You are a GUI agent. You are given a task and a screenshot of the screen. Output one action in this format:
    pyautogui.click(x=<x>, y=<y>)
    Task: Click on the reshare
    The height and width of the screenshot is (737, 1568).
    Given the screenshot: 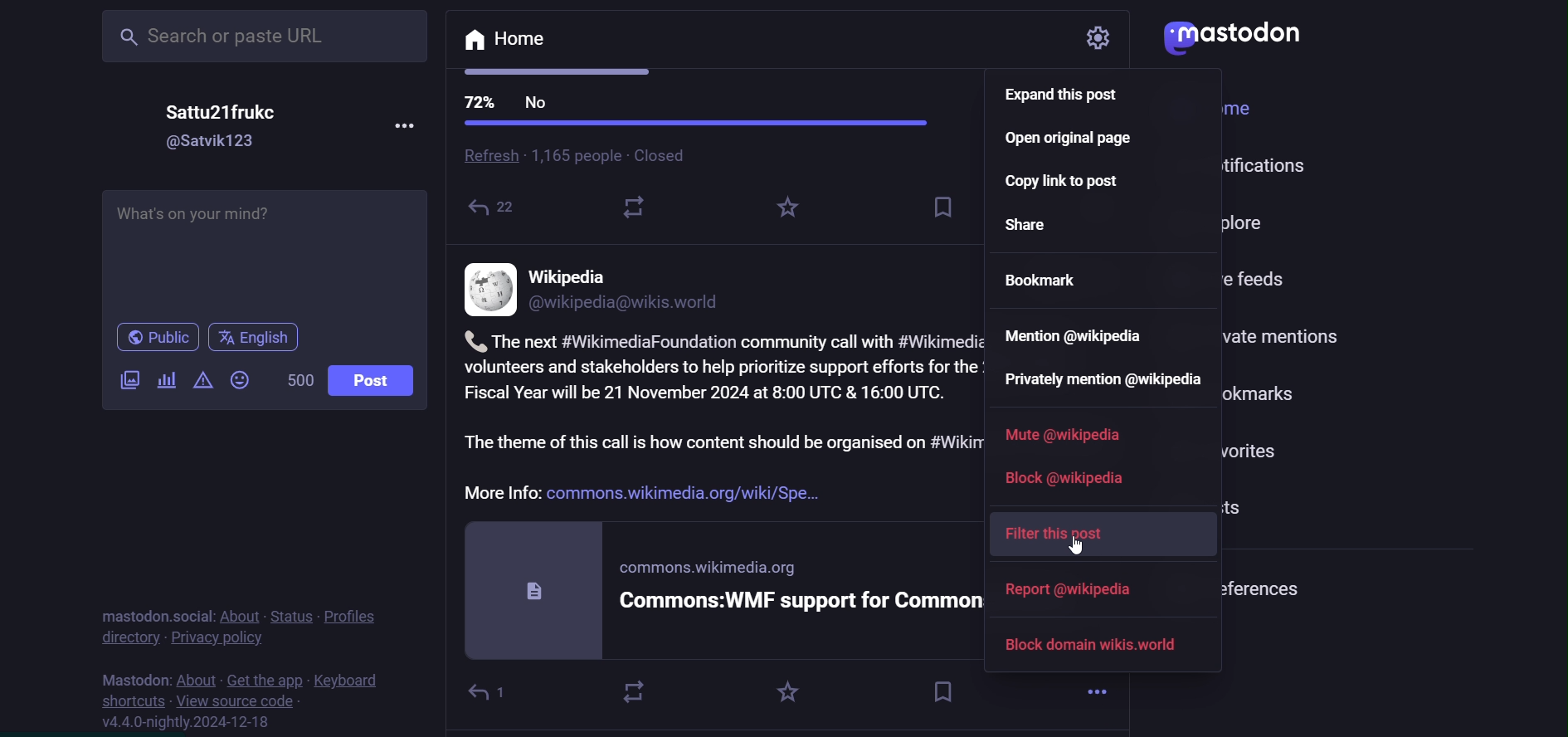 What is the action you would take?
    pyautogui.click(x=637, y=211)
    